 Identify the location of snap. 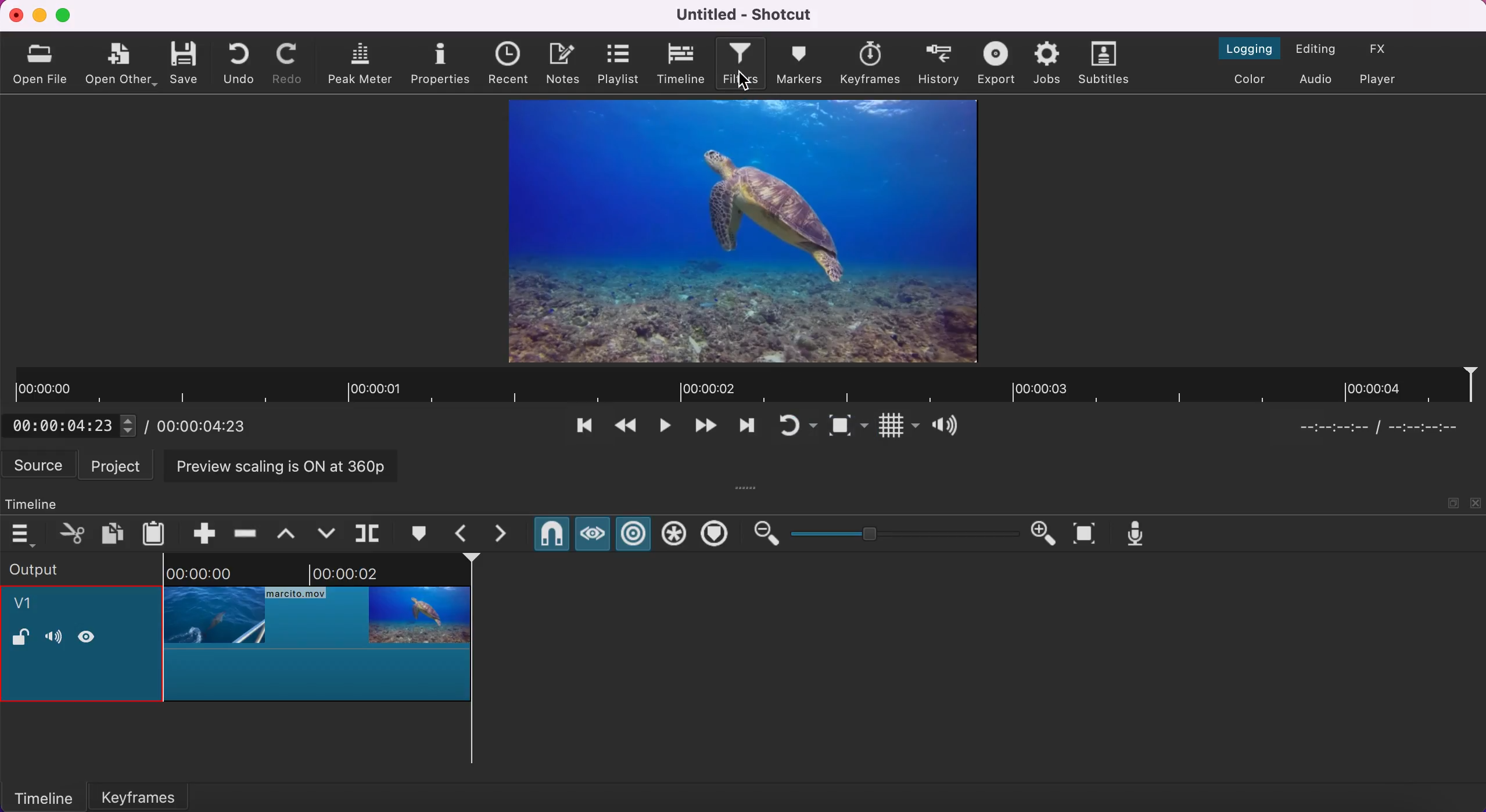
(551, 536).